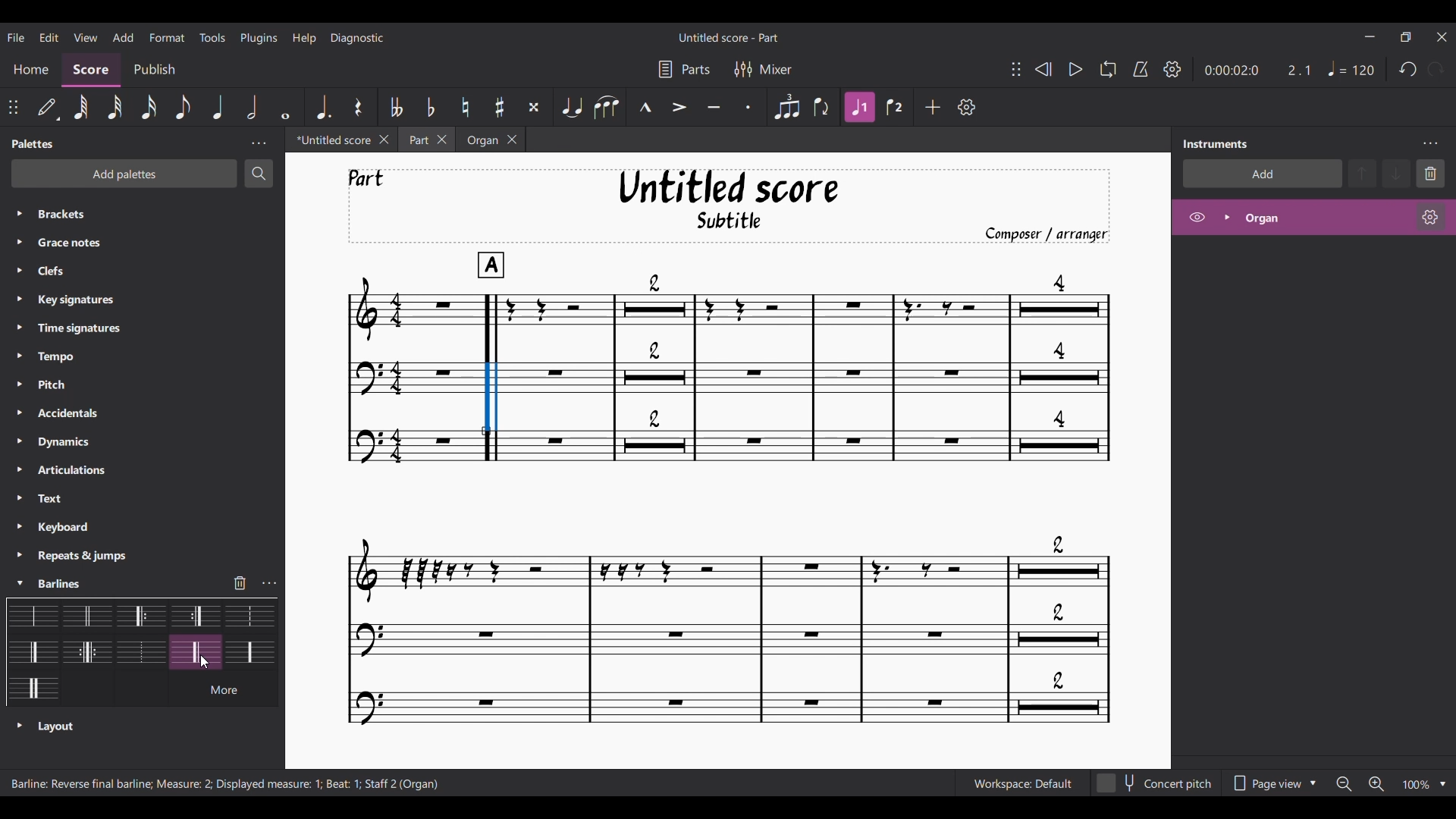 This screenshot has height=819, width=1456. I want to click on Whole note, so click(285, 107).